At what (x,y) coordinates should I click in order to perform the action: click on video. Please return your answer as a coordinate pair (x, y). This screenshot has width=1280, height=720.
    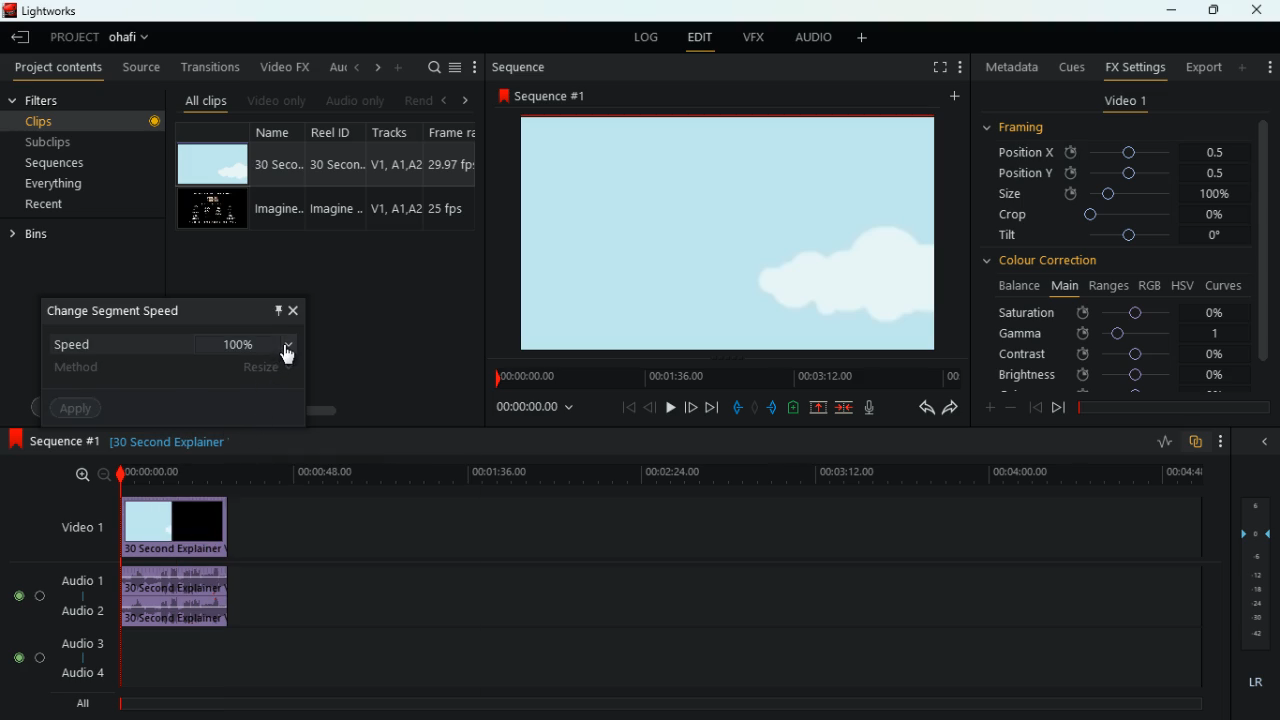
    Looking at the image, I should click on (214, 164).